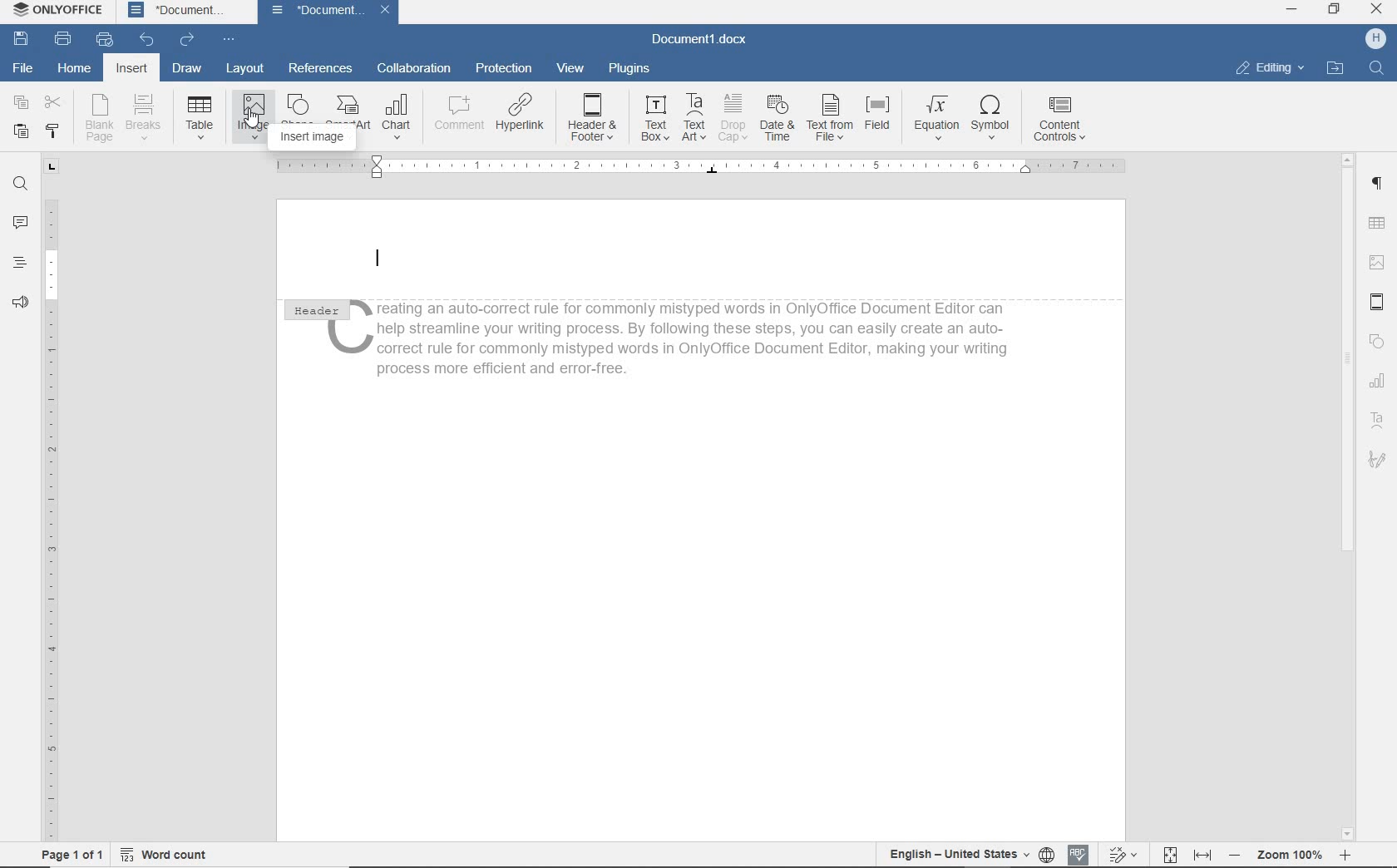  What do you see at coordinates (575, 69) in the screenshot?
I see `VIEW` at bounding box center [575, 69].